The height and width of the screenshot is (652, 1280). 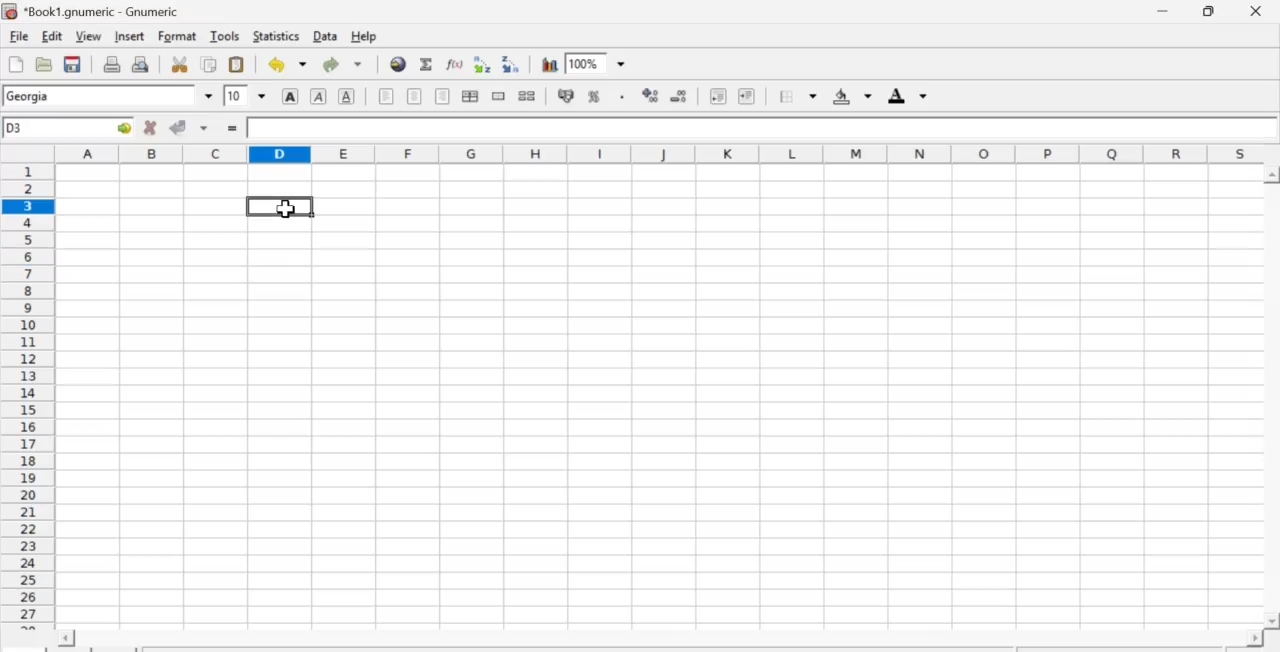 What do you see at coordinates (678, 96) in the screenshot?
I see `Decrease number of decimals` at bounding box center [678, 96].